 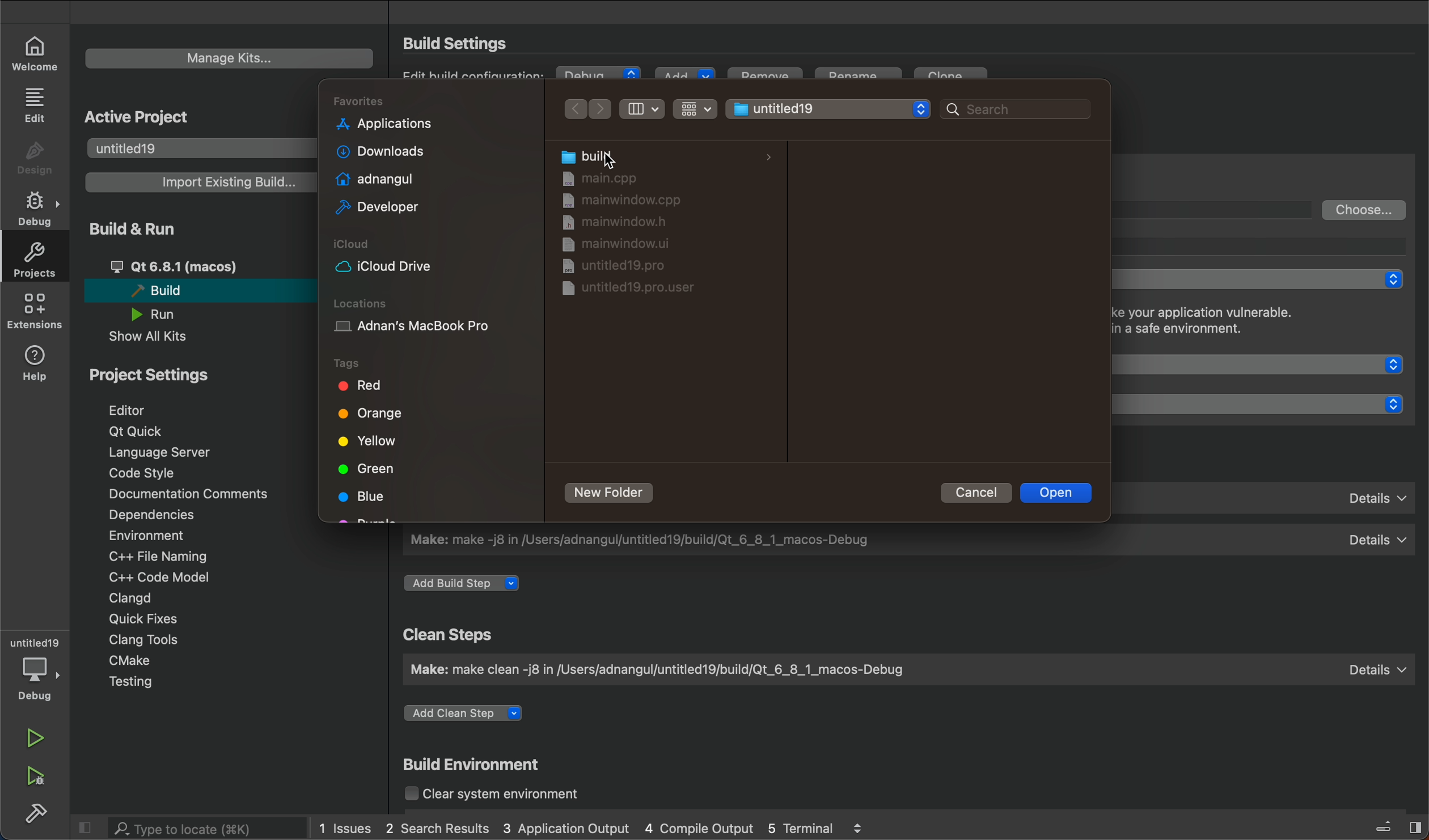 I want to click on help, so click(x=37, y=361).